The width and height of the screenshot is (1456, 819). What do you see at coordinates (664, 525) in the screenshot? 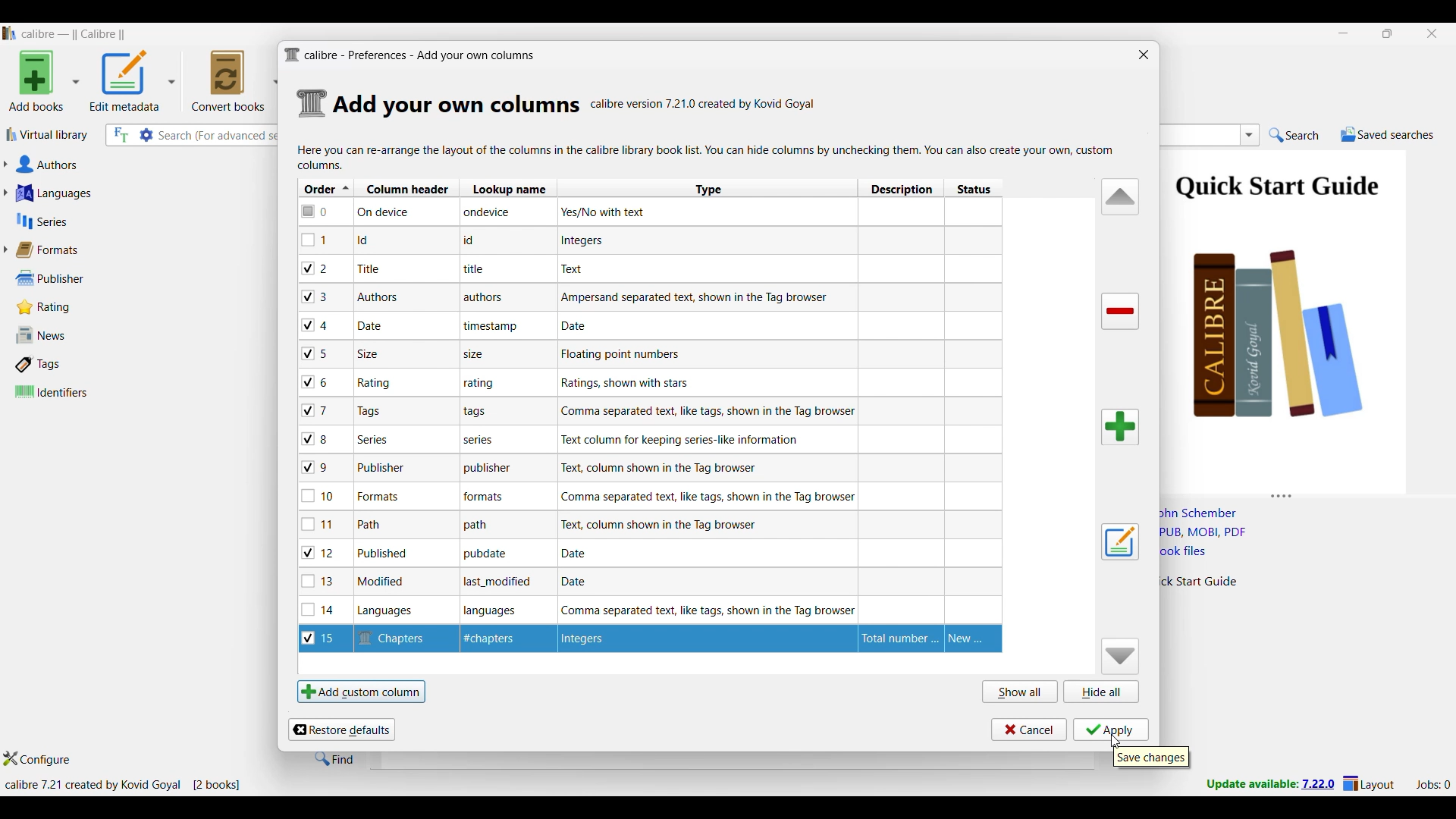
I see `Explanation` at bounding box center [664, 525].